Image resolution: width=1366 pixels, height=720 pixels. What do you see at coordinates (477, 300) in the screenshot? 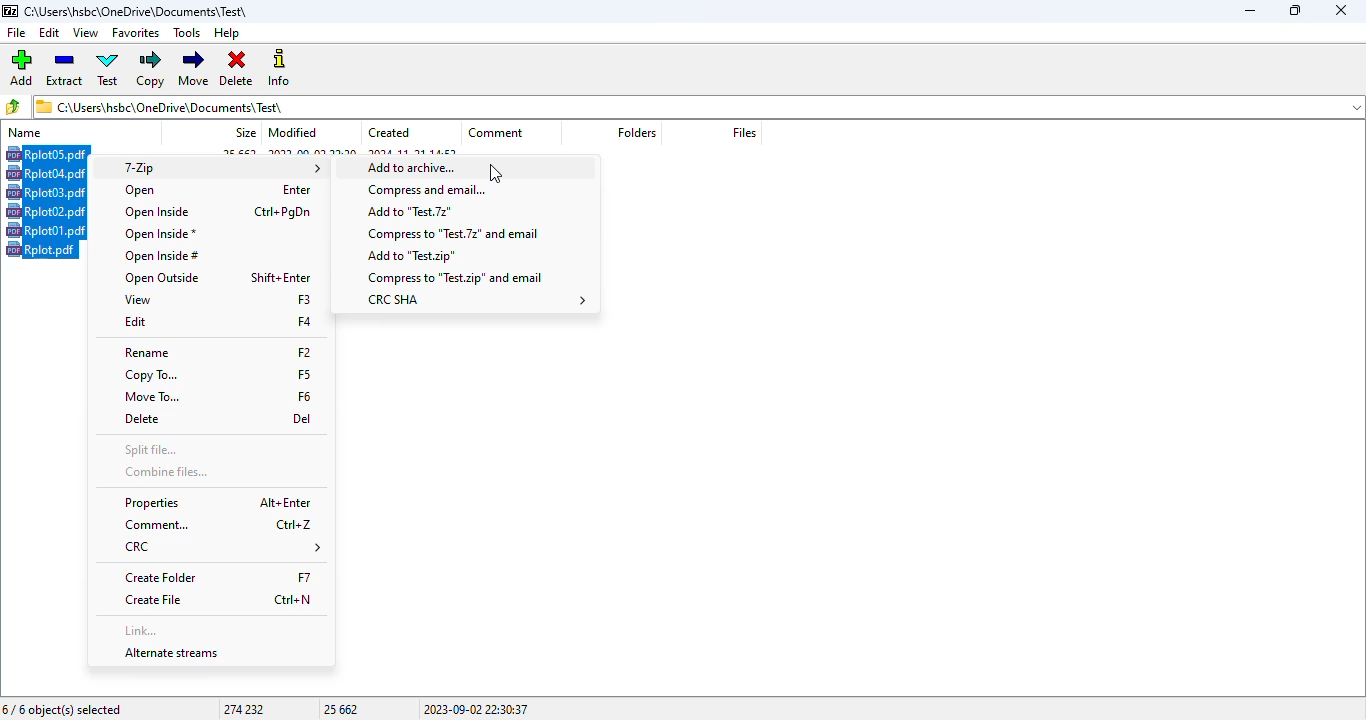
I see `CRC SHA` at bounding box center [477, 300].